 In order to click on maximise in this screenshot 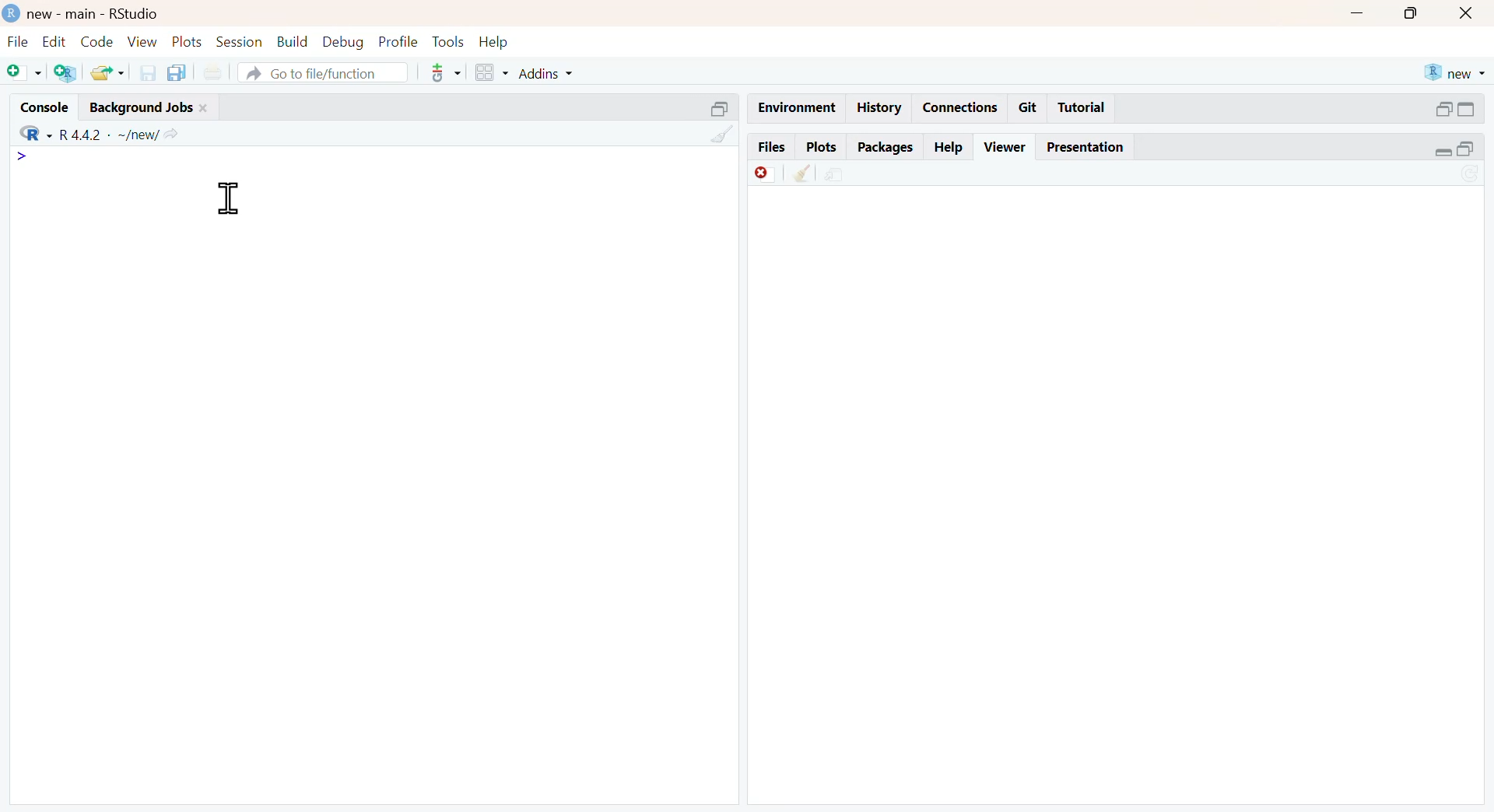, I will do `click(1409, 13)`.